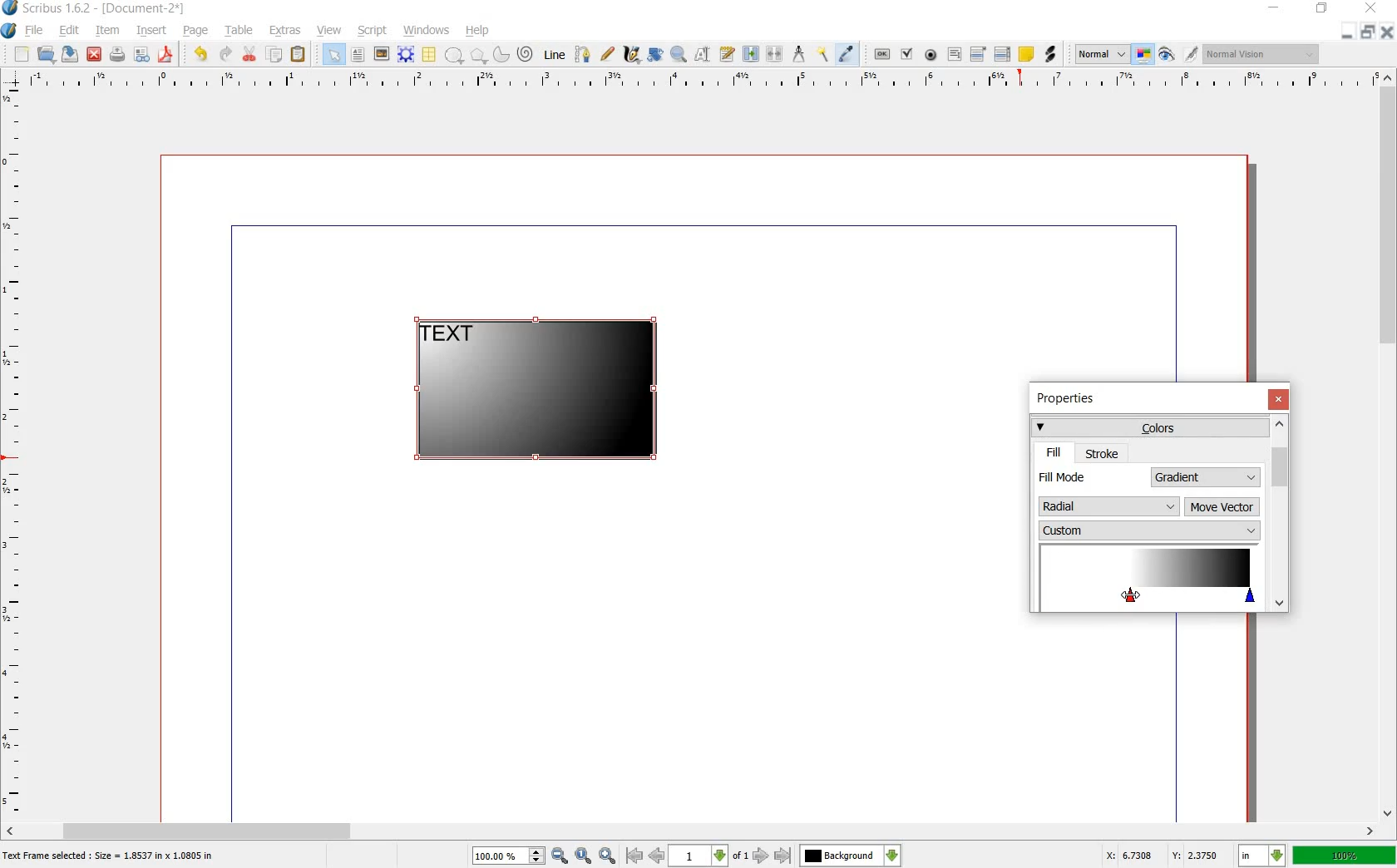 This screenshot has height=868, width=1397. What do you see at coordinates (357, 55) in the screenshot?
I see `text frame` at bounding box center [357, 55].